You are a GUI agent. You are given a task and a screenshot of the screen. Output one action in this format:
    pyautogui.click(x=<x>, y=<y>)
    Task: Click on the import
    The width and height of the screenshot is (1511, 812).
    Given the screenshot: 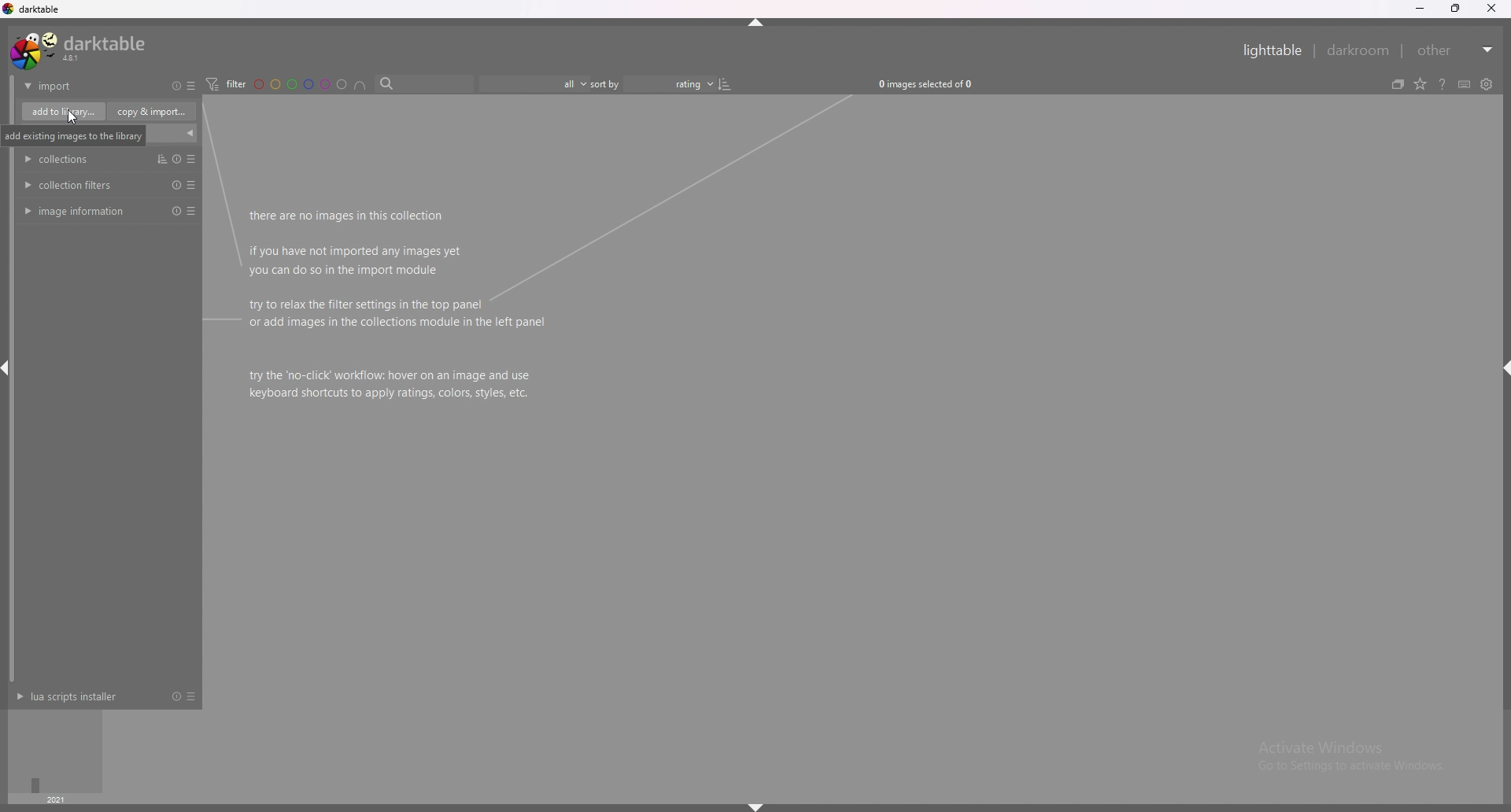 What is the action you would take?
    pyautogui.click(x=77, y=86)
    